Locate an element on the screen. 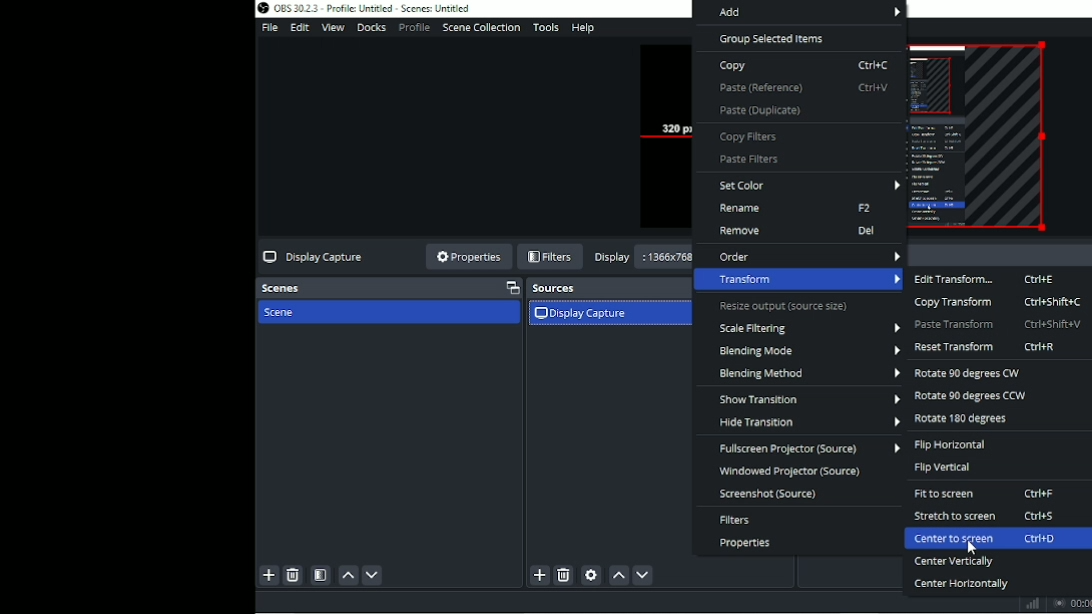 The height and width of the screenshot is (614, 1092). Rotate 180 degrees is located at coordinates (963, 419).